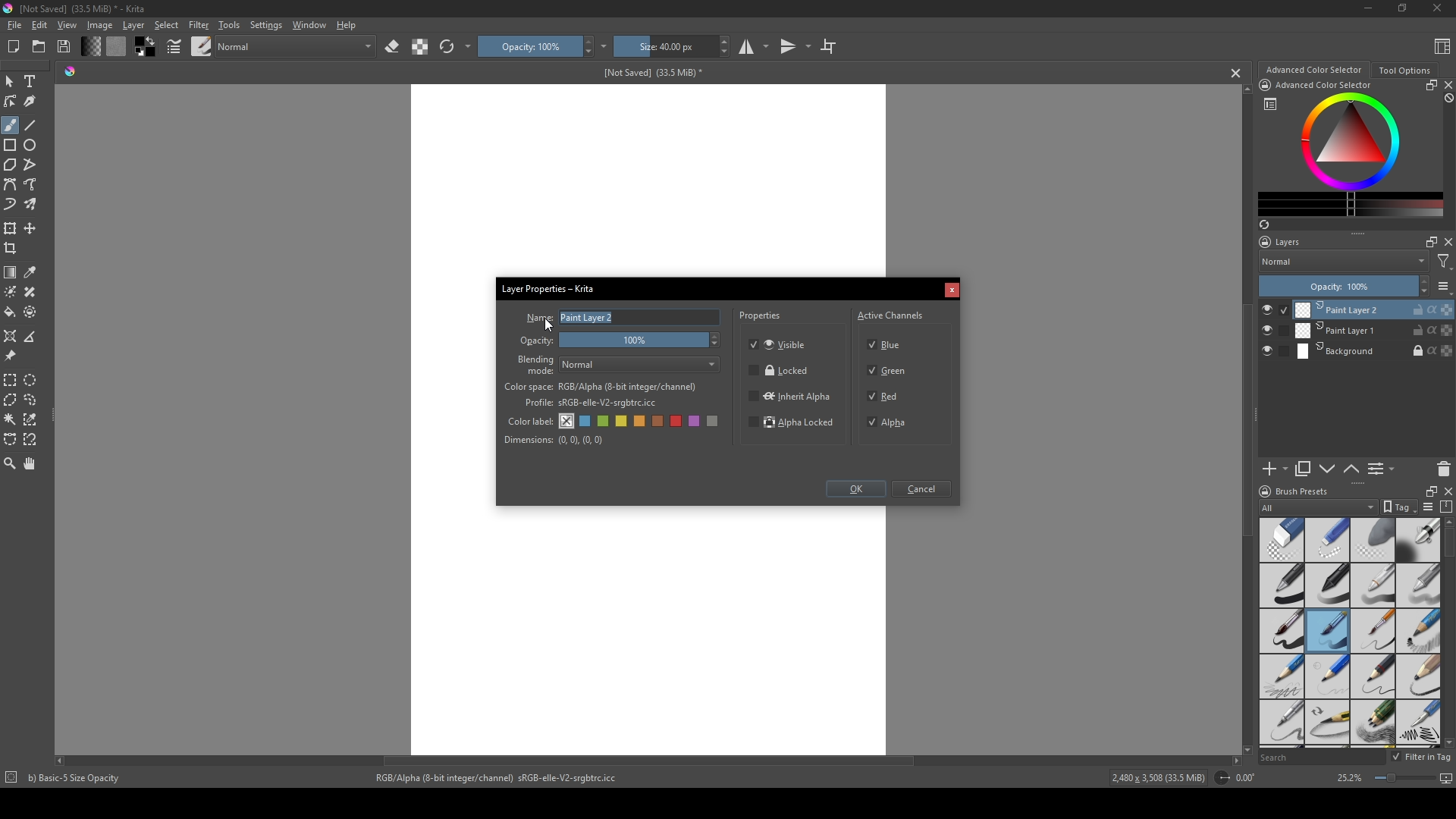 Image resolution: width=1456 pixels, height=819 pixels. What do you see at coordinates (1274, 352) in the screenshot?
I see `check button` at bounding box center [1274, 352].